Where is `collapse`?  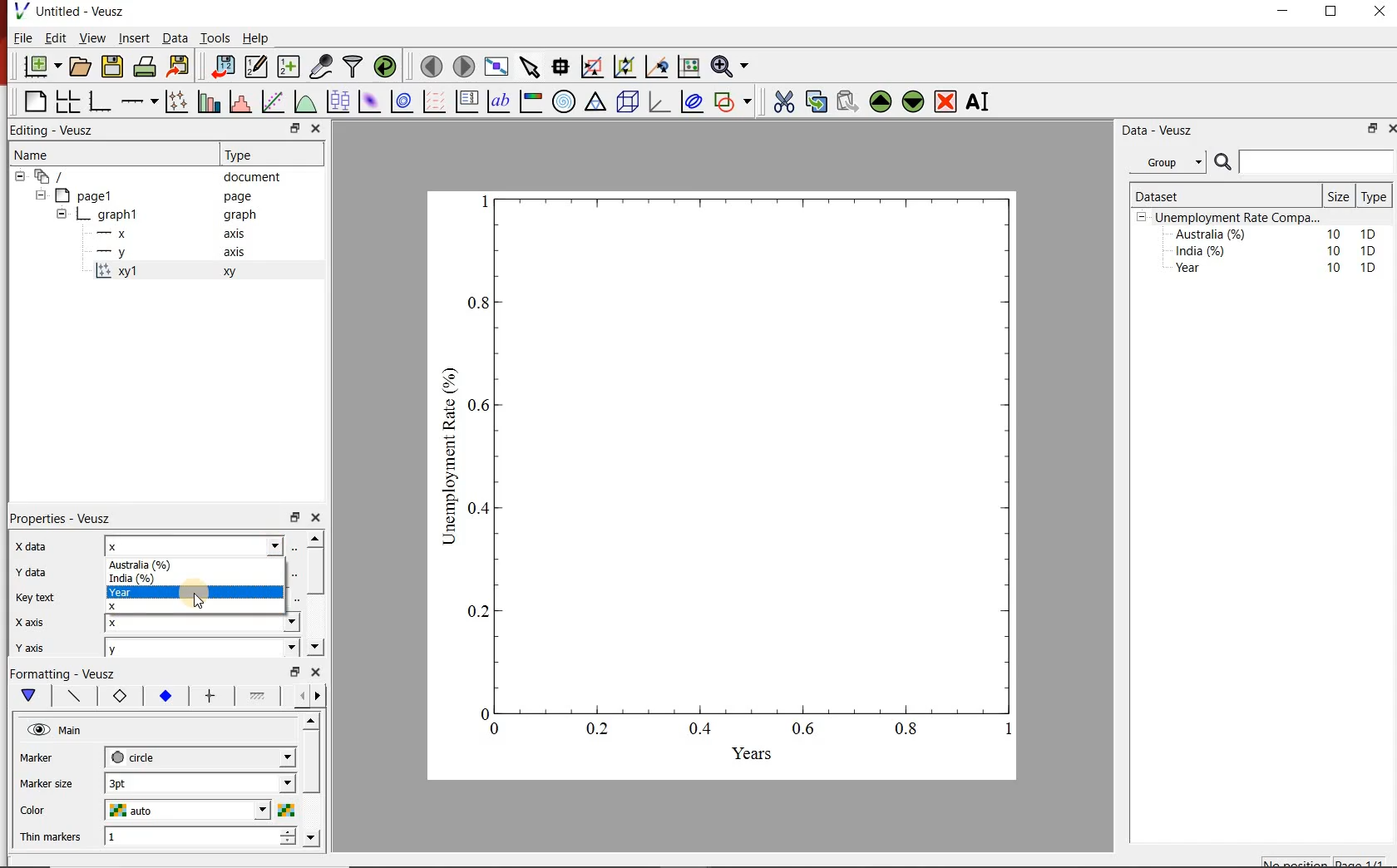 collapse is located at coordinates (61, 216).